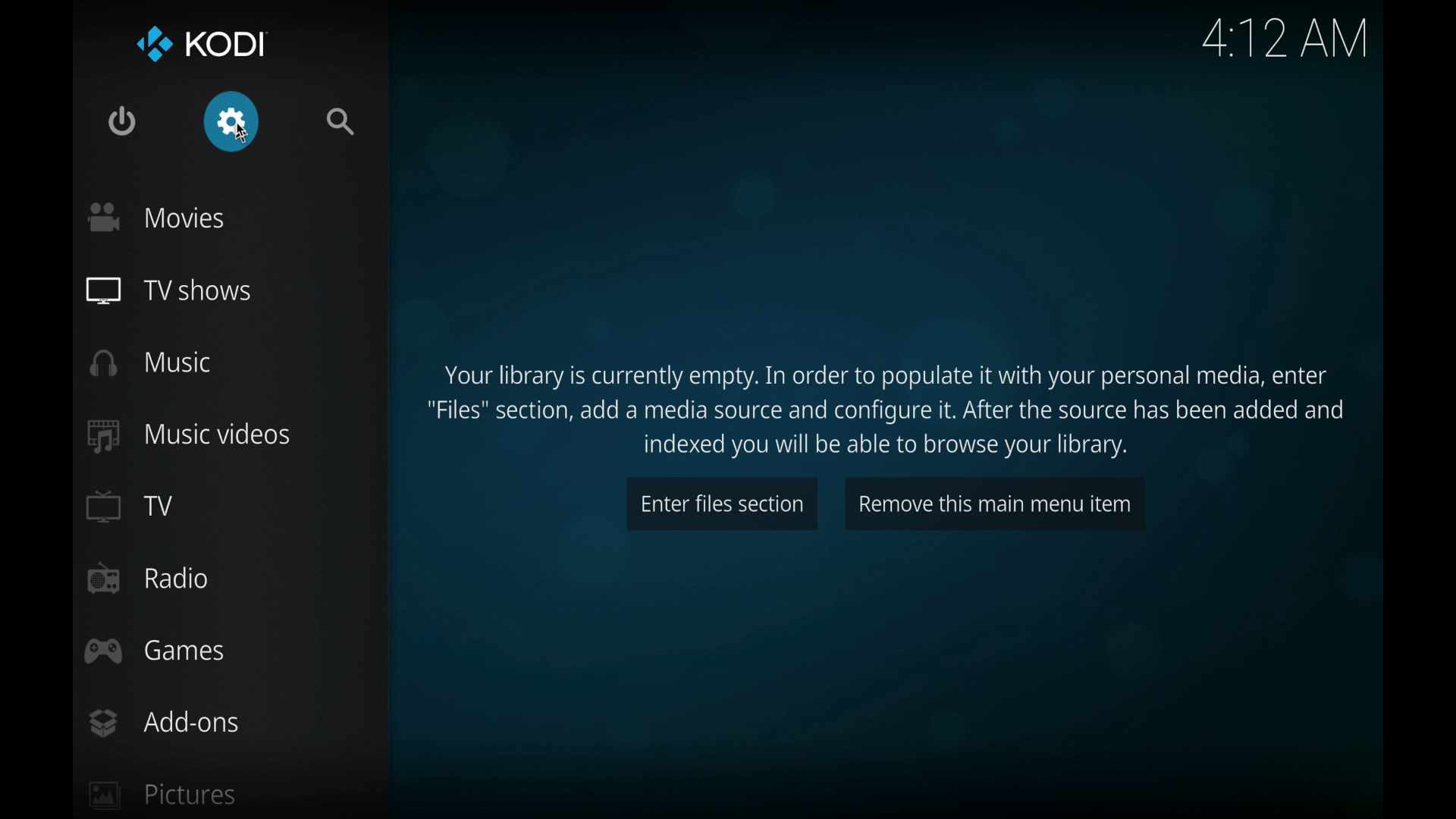 The width and height of the screenshot is (1456, 819). Describe the element at coordinates (156, 216) in the screenshot. I see `movies` at that location.